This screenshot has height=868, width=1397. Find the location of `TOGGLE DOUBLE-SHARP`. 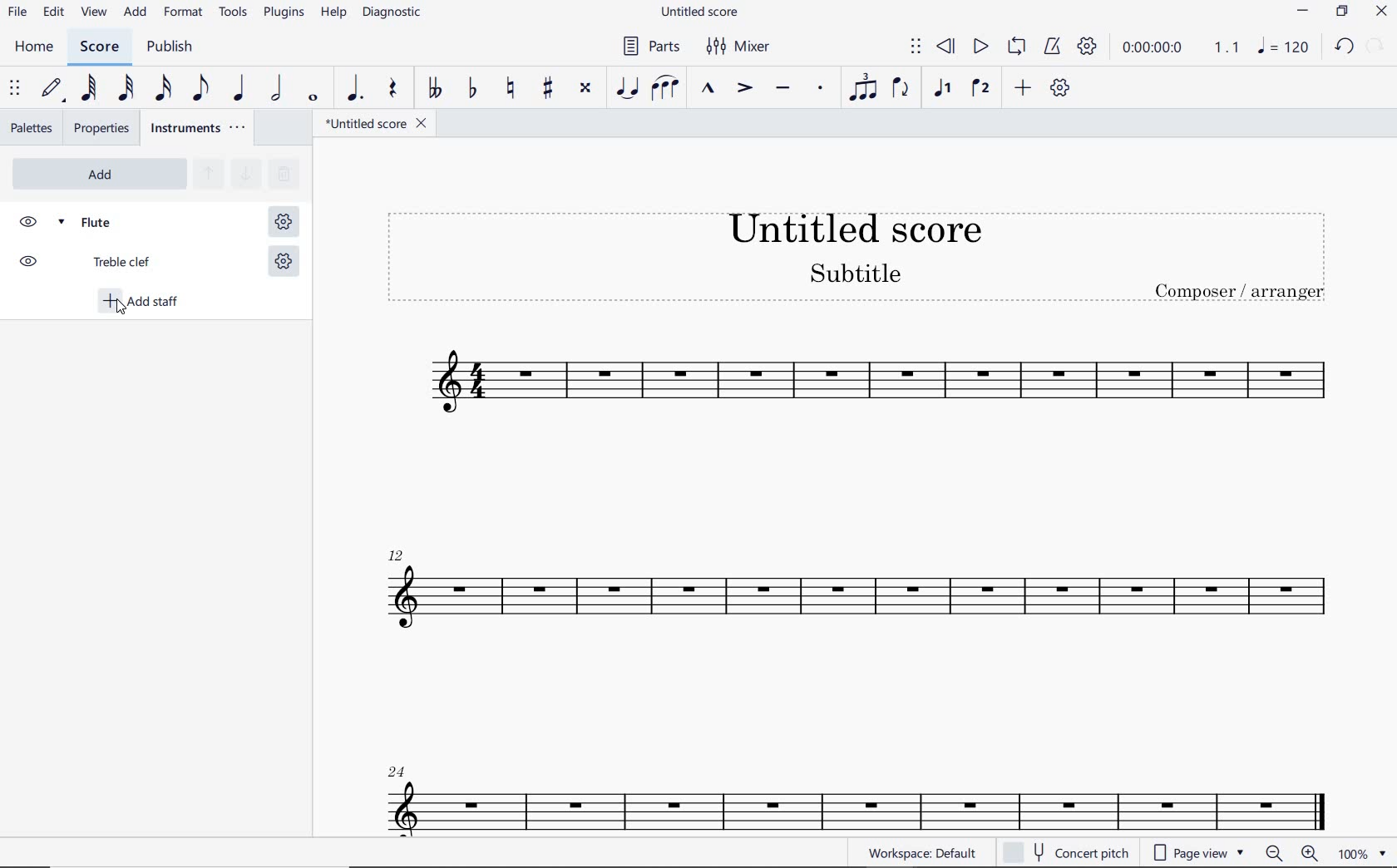

TOGGLE DOUBLE-SHARP is located at coordinates (587, 89).